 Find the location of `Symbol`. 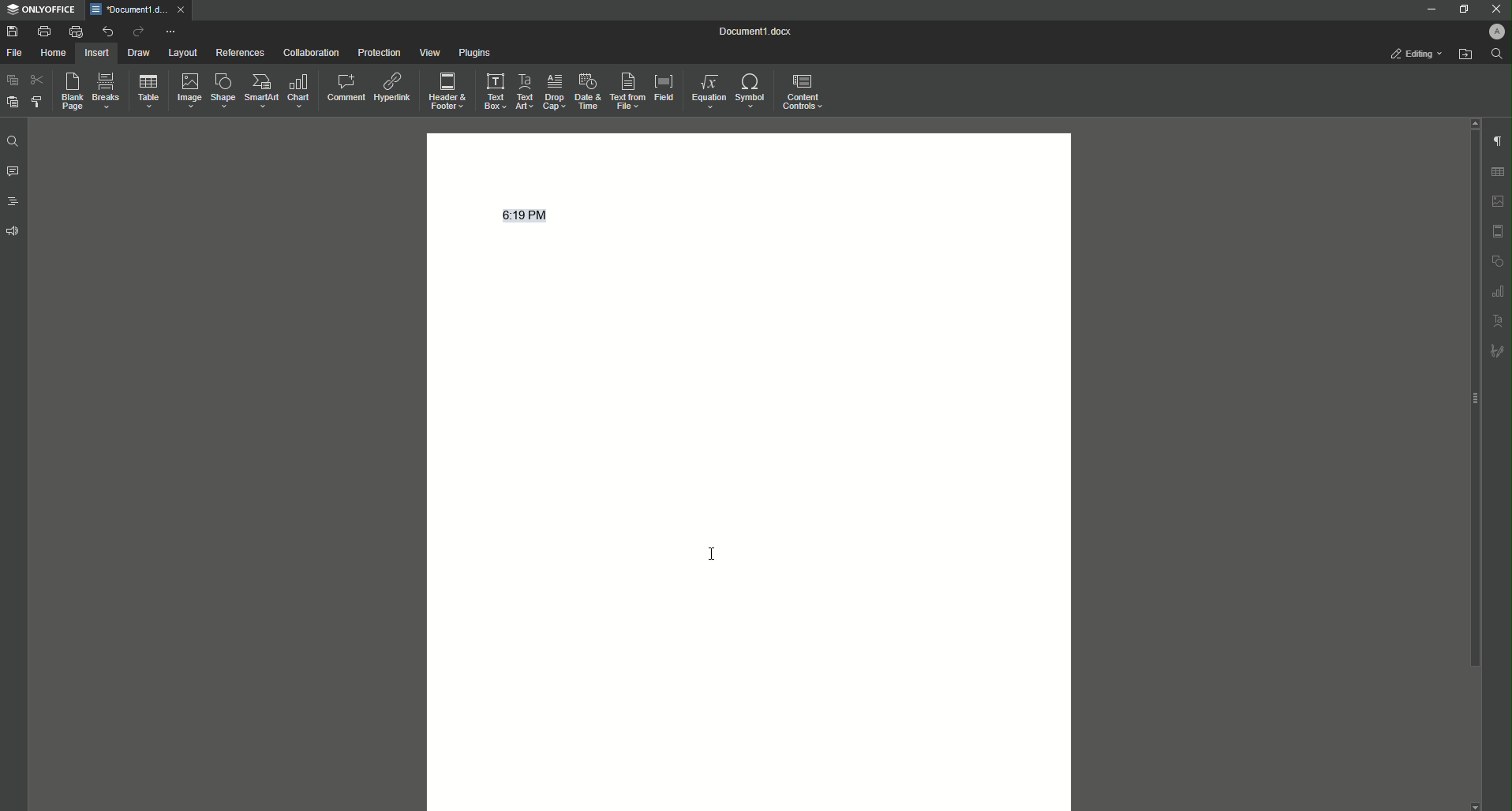

Symbol is located at coordinates (752, 92).